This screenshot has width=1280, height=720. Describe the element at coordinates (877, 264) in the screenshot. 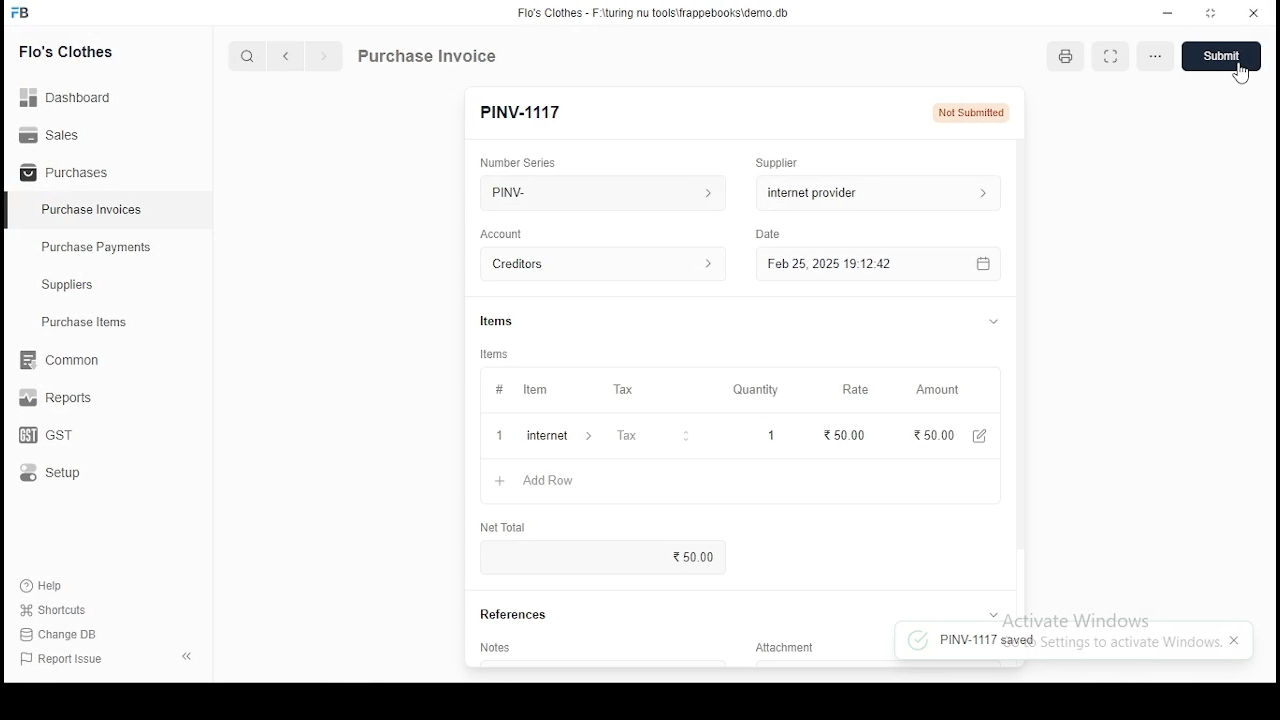

I see `feb 25, 2025 19:12:42` at that location.